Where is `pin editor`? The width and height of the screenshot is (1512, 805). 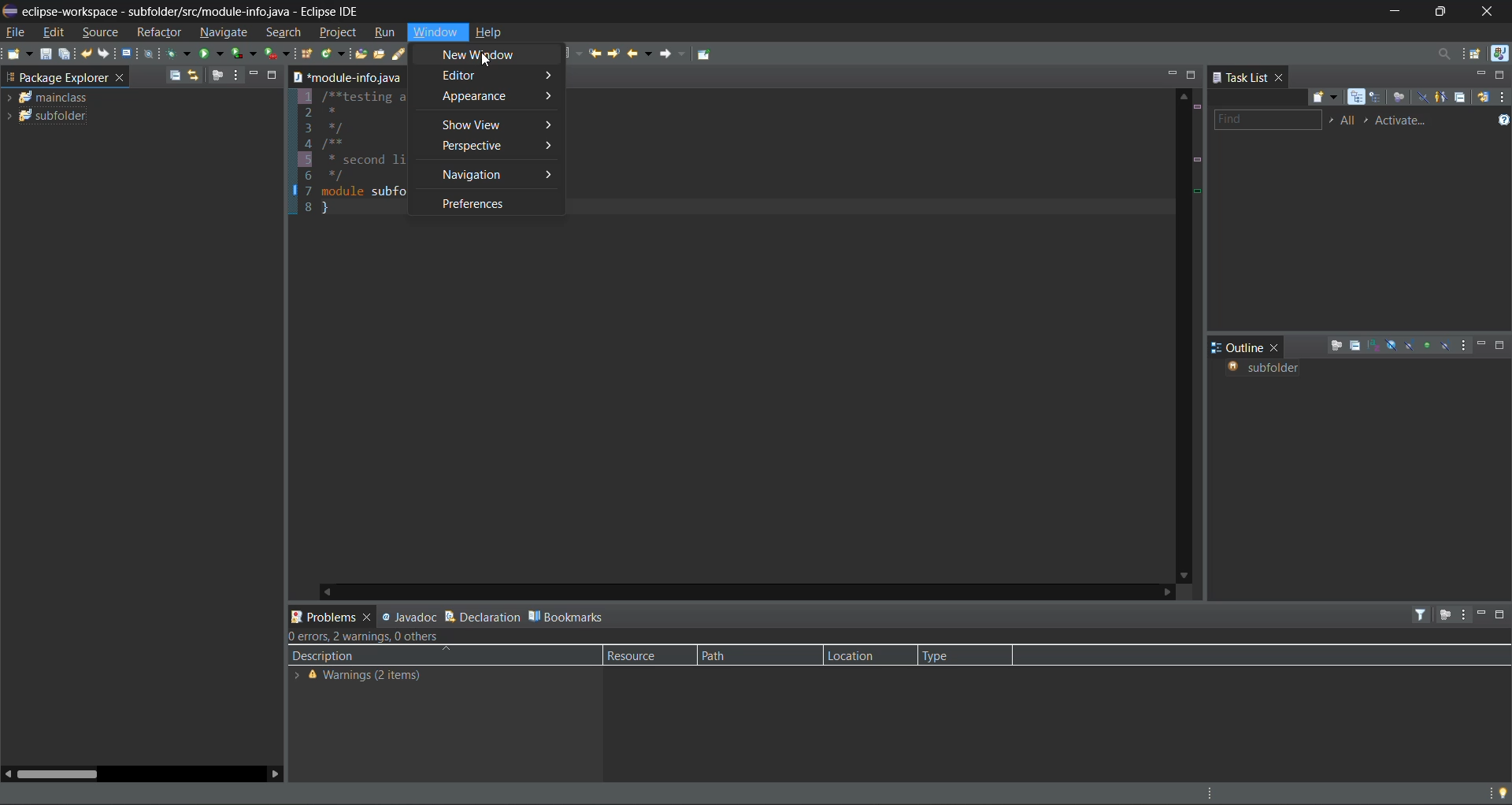
pin editor is located at coordinates (711, 57).